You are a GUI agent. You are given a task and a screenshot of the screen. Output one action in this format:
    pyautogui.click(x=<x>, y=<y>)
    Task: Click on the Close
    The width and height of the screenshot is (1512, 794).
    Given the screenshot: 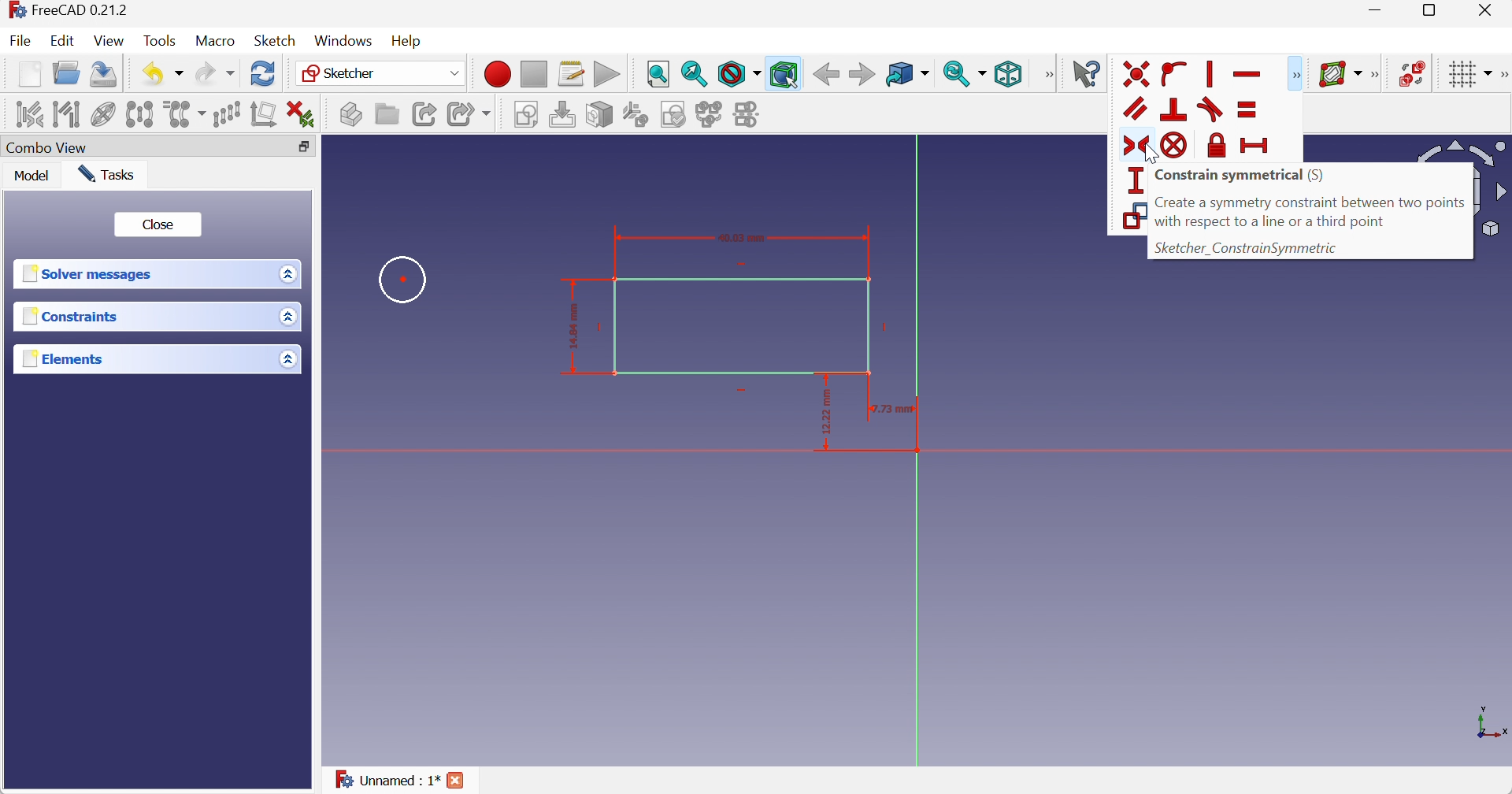 What is the action you would take?
    pyautogui.click(x=457, y=781)
    